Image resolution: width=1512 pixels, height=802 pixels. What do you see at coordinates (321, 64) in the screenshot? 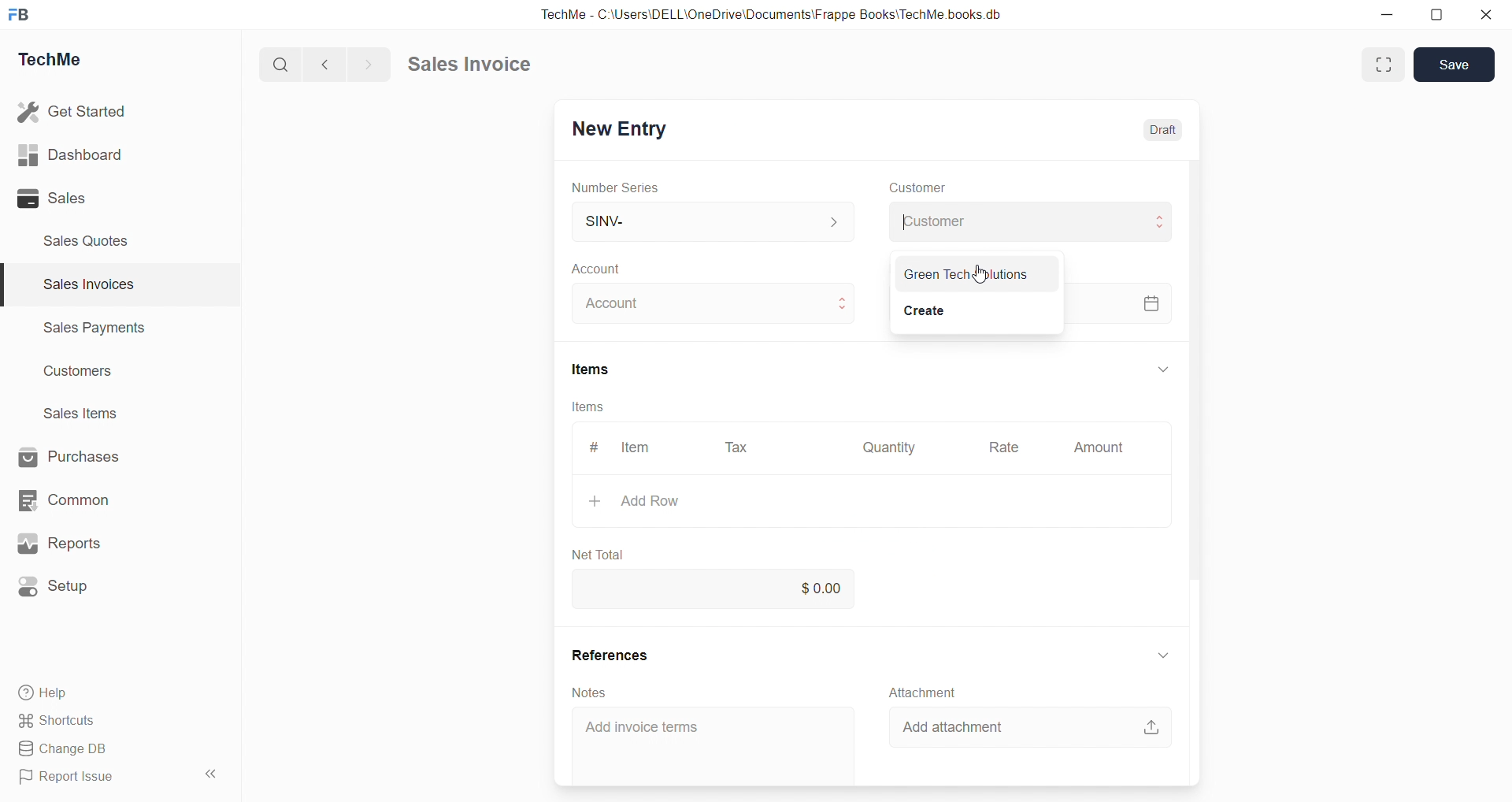
I see `back` at bounding box center [321, 64].